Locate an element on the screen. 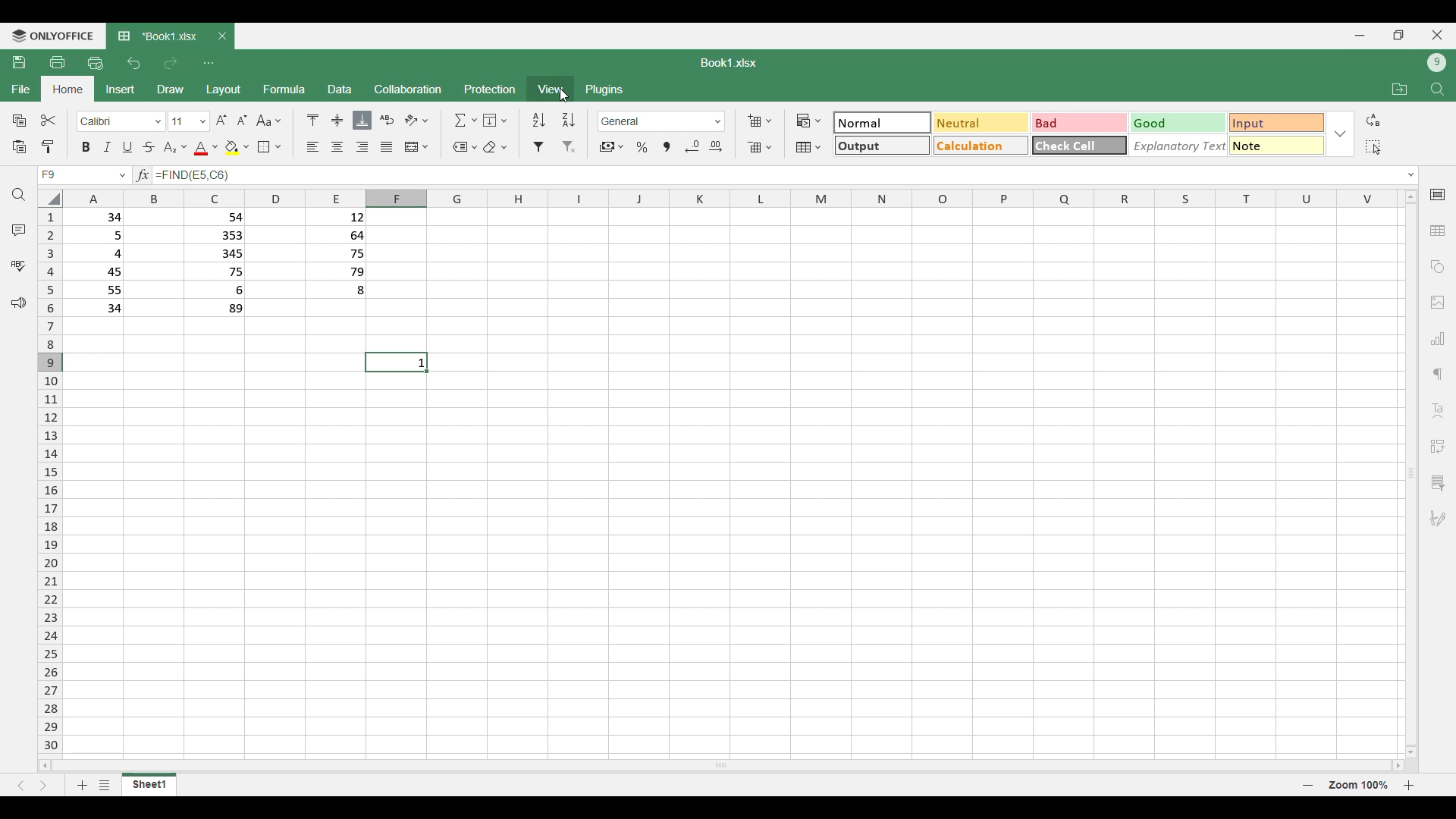  Print file is located at coordinates (58, 62).